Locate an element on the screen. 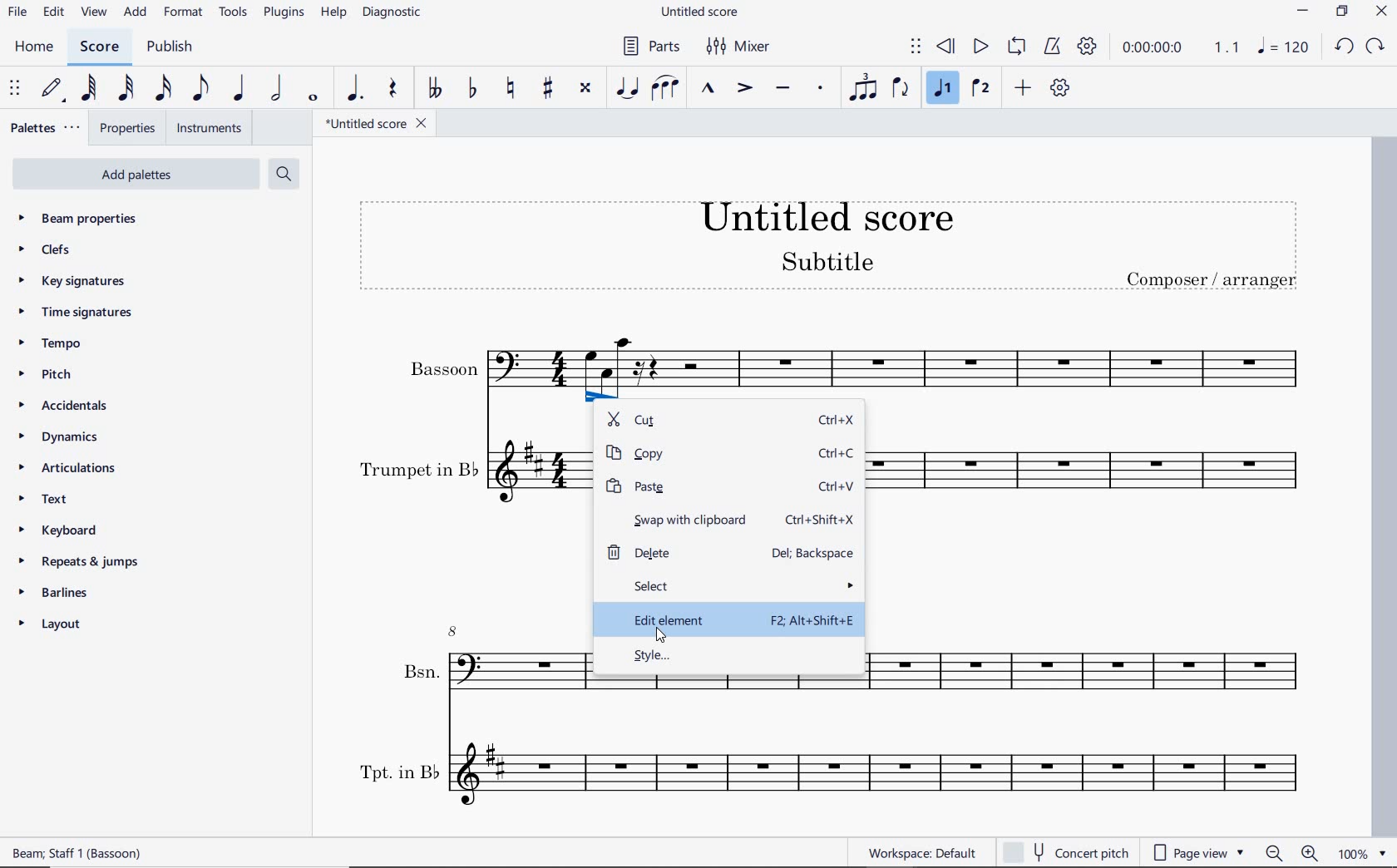  metronome is located at coordinates (1054, 47).